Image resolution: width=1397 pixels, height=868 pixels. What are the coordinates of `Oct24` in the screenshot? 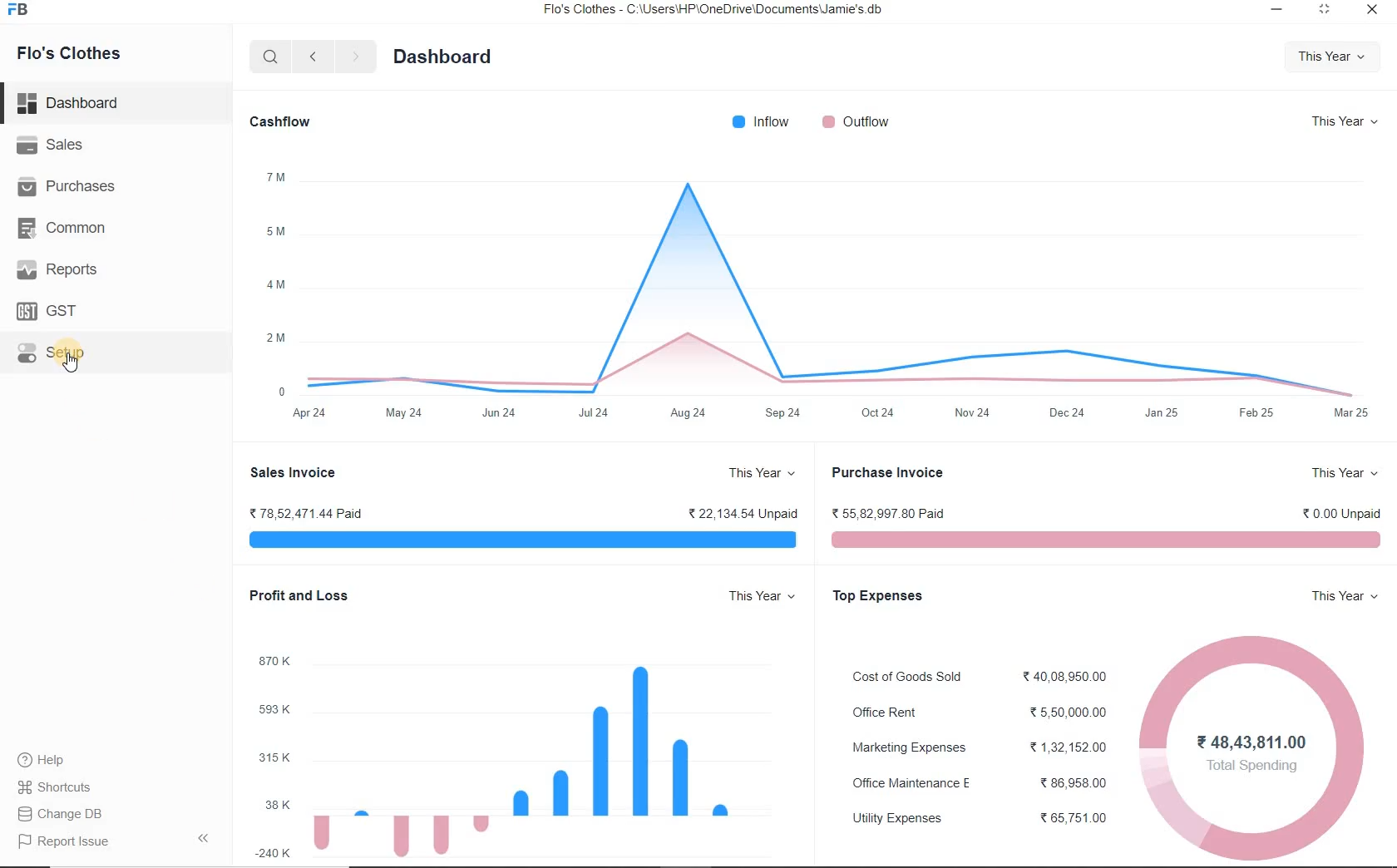 It's located at (878, 414).